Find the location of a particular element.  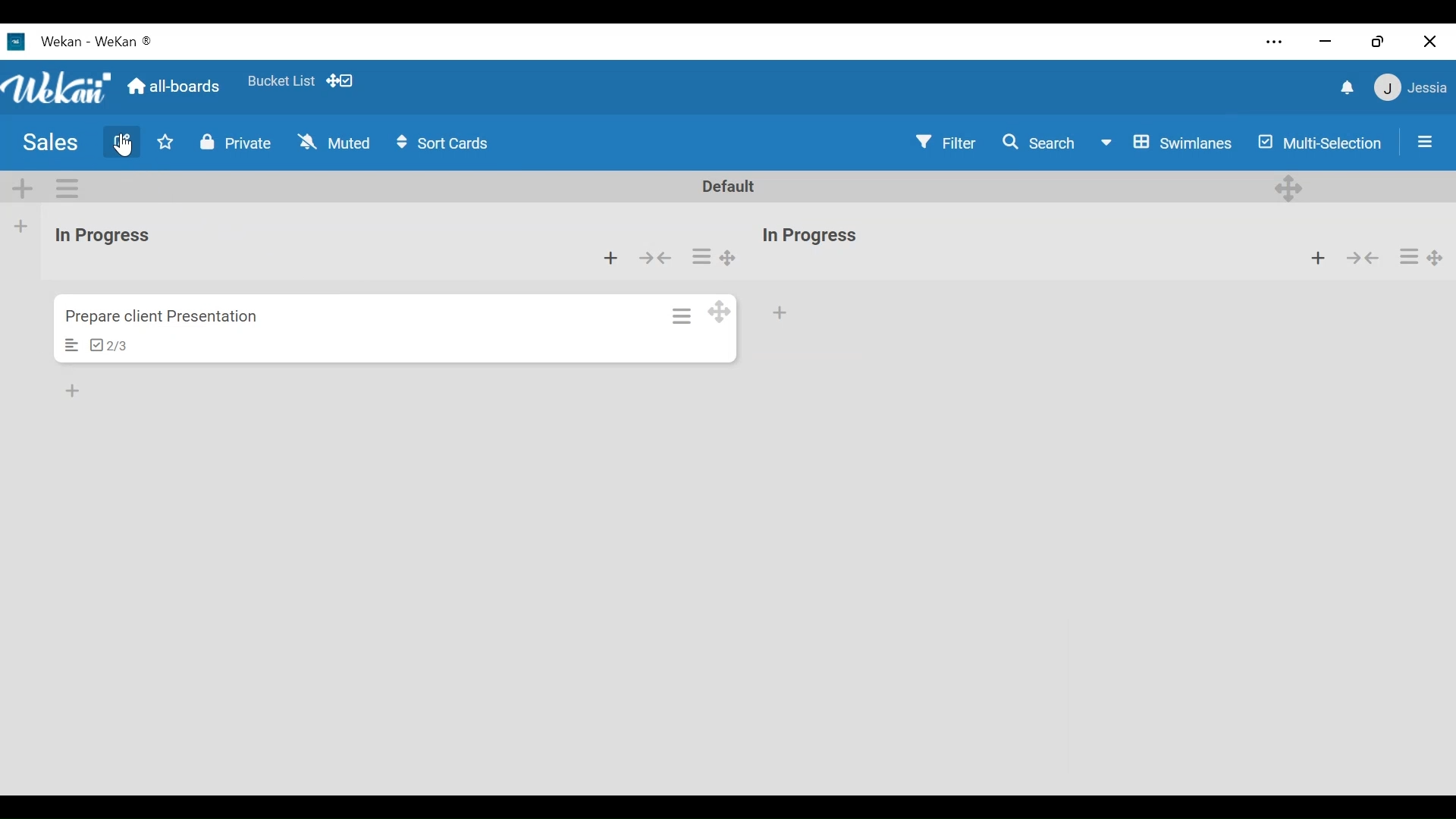

List Title is located at coordinates (104, 235).